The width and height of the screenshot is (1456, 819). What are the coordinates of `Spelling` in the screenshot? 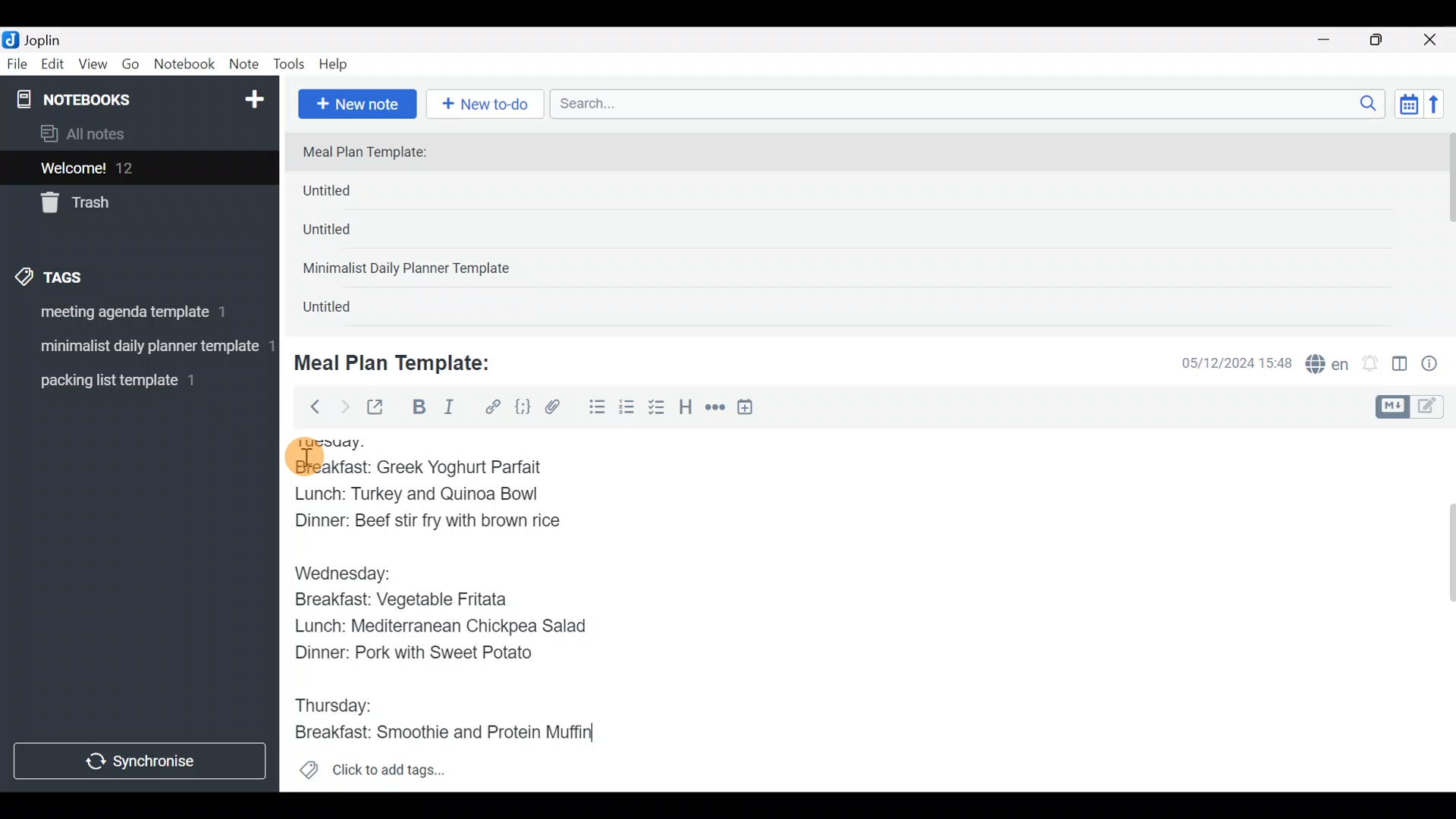 It's located at (1328, 366).